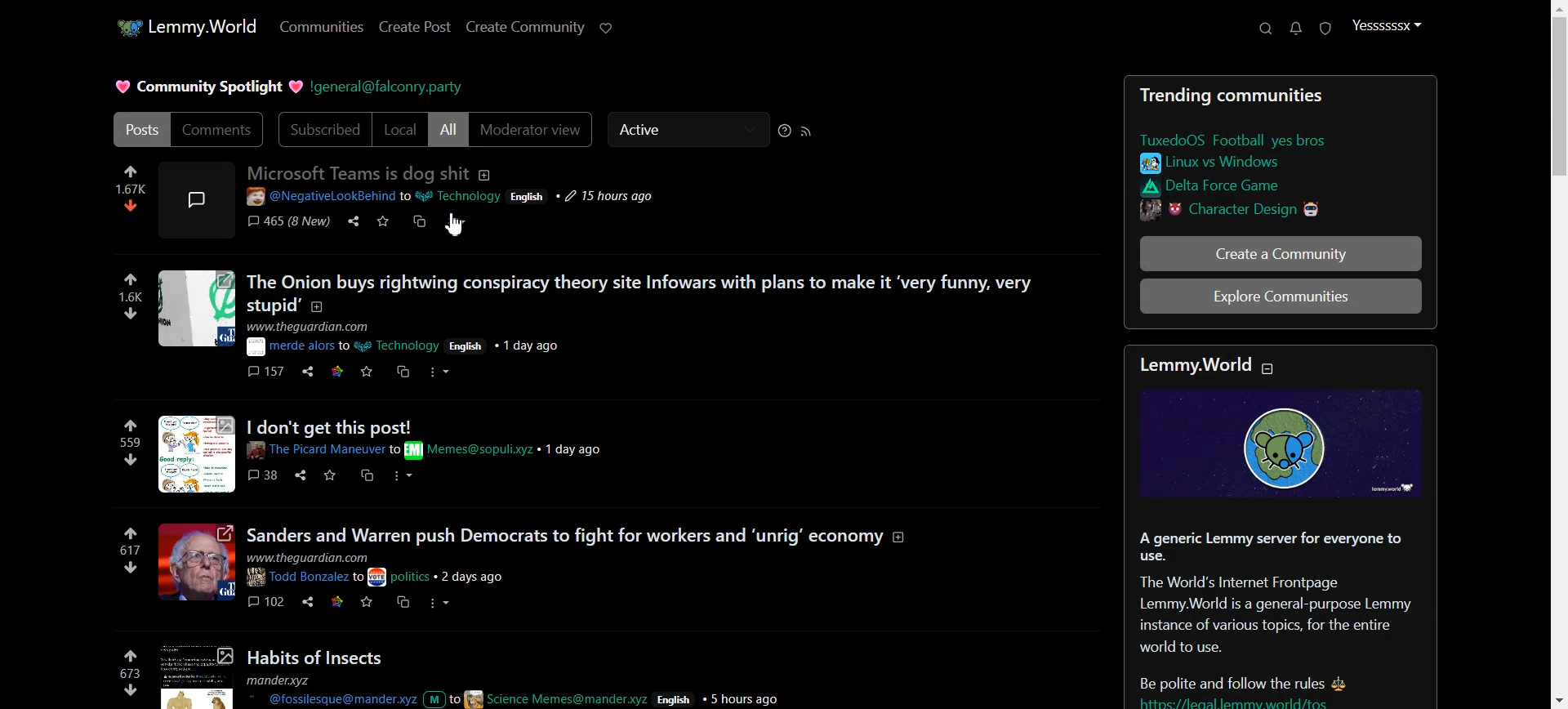 Image resolution: width=1568 pixels, height=709 pixels. What do you see at coordinates (369, 602) in the screenshot?
I see `save` at bounding box center [369, 602].